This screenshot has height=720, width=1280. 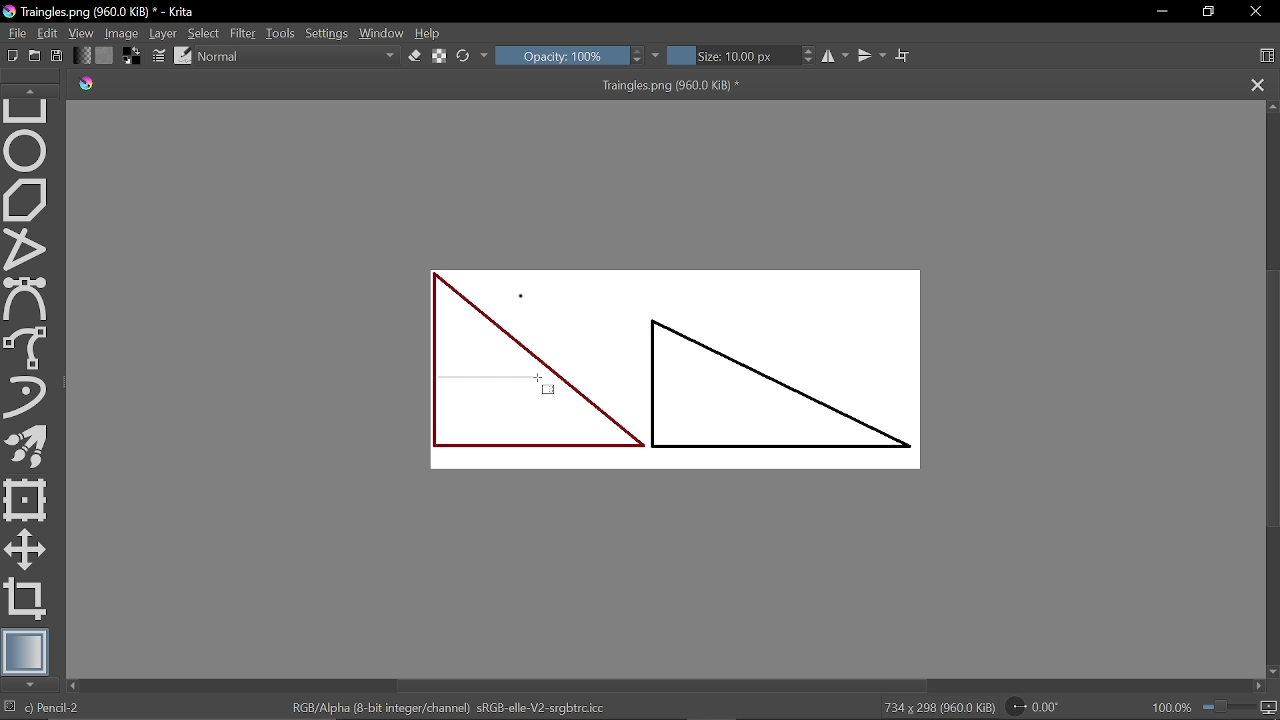 I want to click on Edit, so click(x=47, y=32).